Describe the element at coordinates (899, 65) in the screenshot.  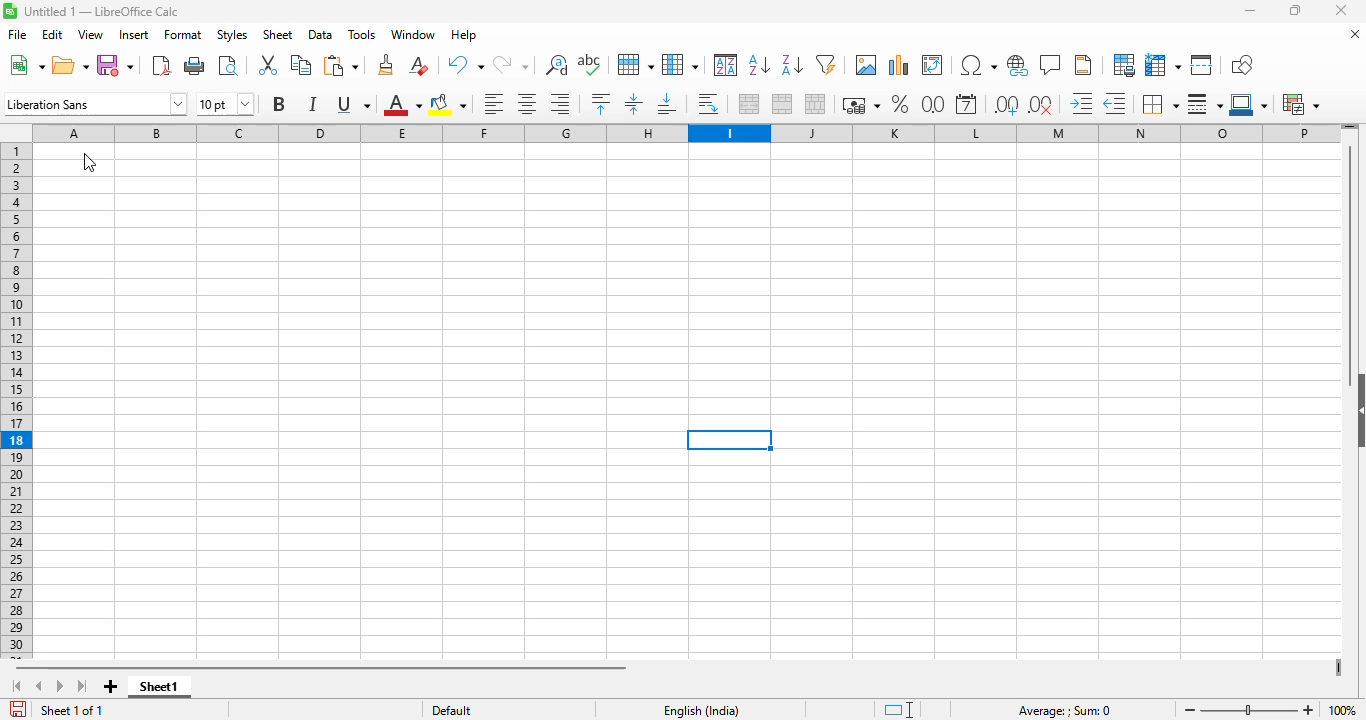
I see `insert image` at that location.